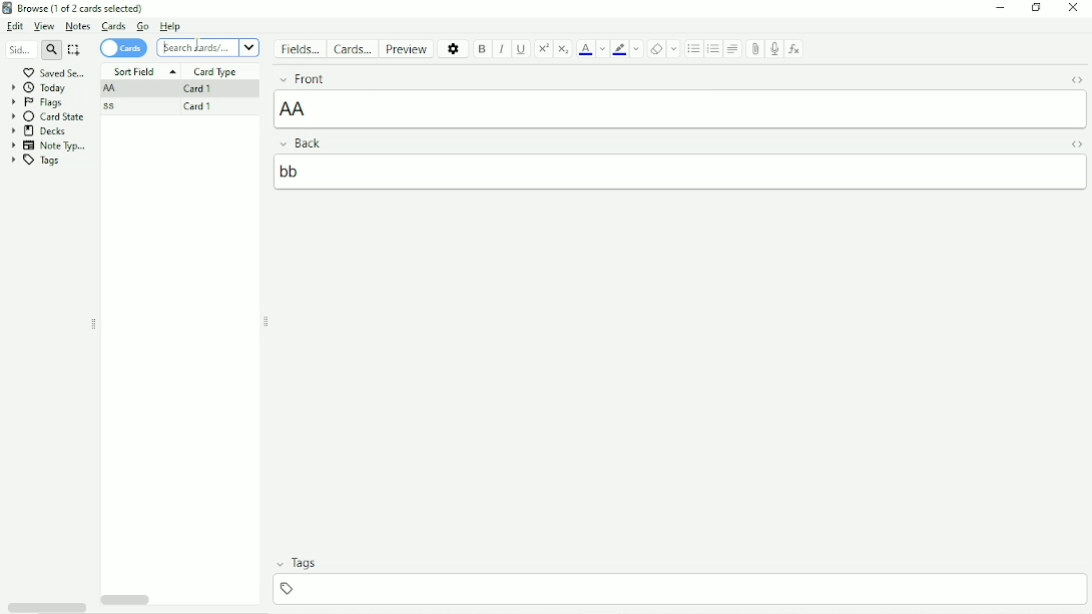 Image resolution: width=1092 pixels, height=614 pixels. What do you see at coordinates (142, 26) in the screenshot?
I see `Go` at bounding box center [142, 26].